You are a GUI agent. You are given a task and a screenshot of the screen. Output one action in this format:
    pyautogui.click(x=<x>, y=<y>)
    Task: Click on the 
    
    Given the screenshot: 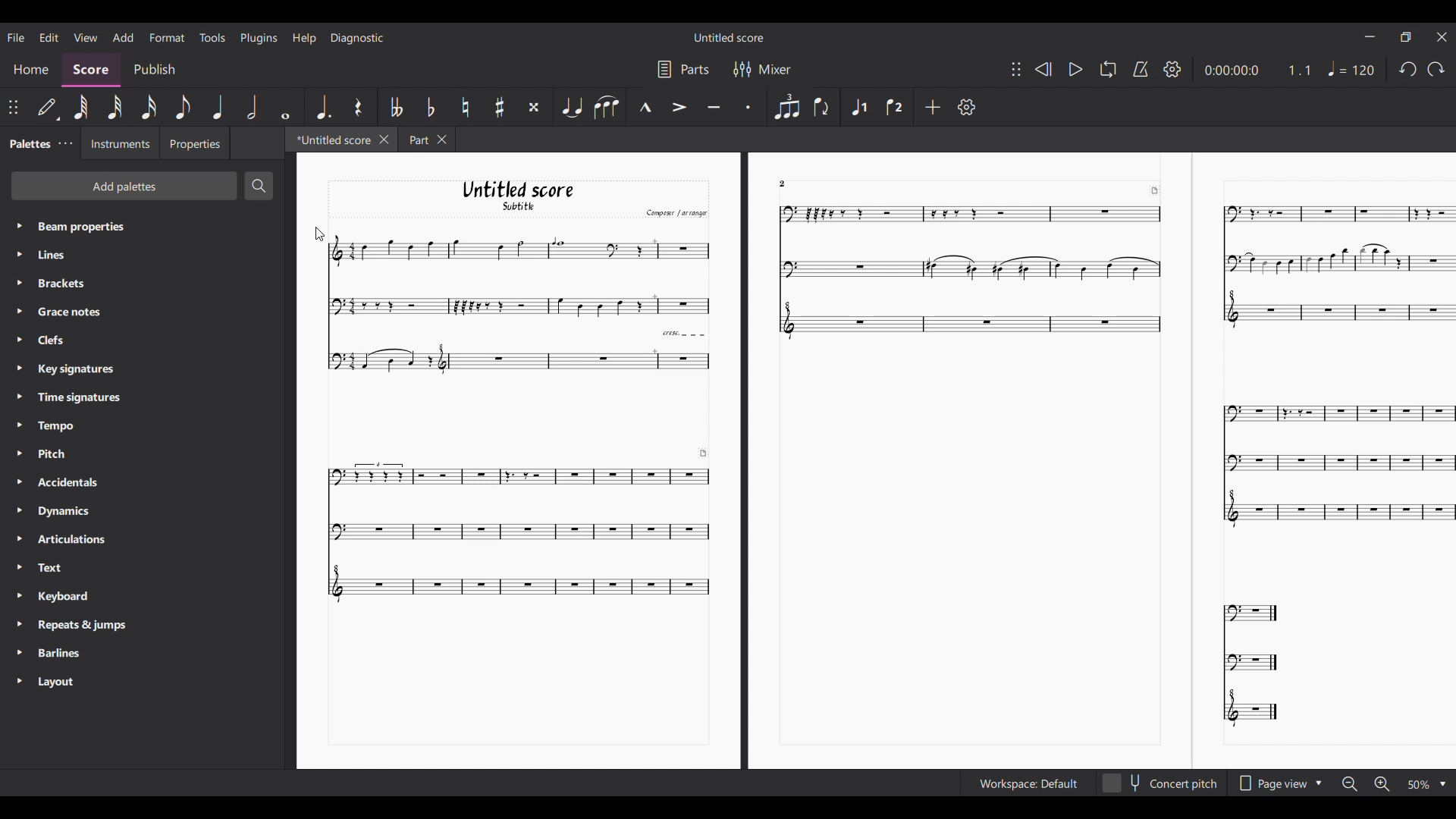 What is the action you would take?
    pyautogui.click(x=1338, y=212)
    